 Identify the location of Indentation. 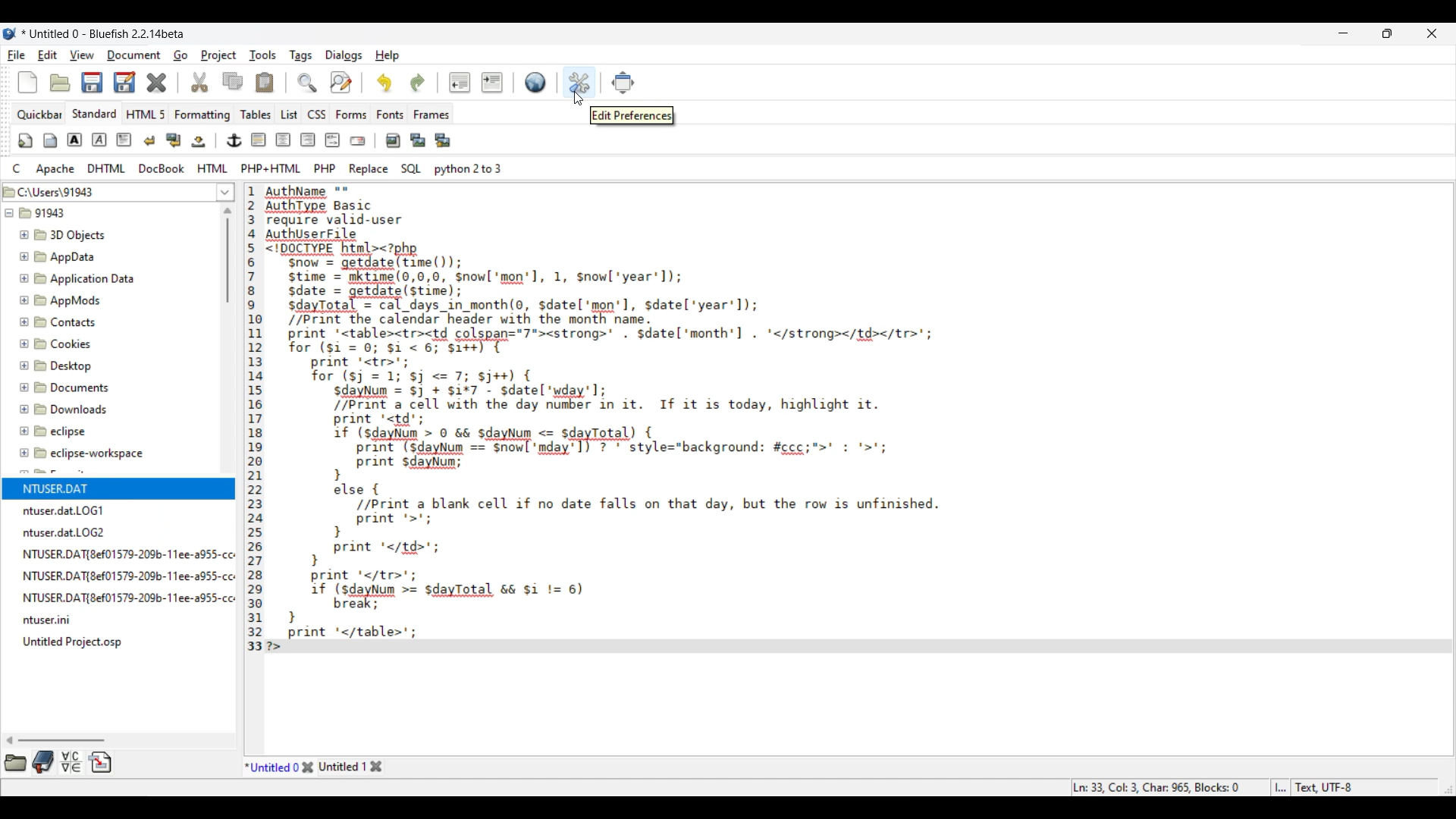
(476, 82).